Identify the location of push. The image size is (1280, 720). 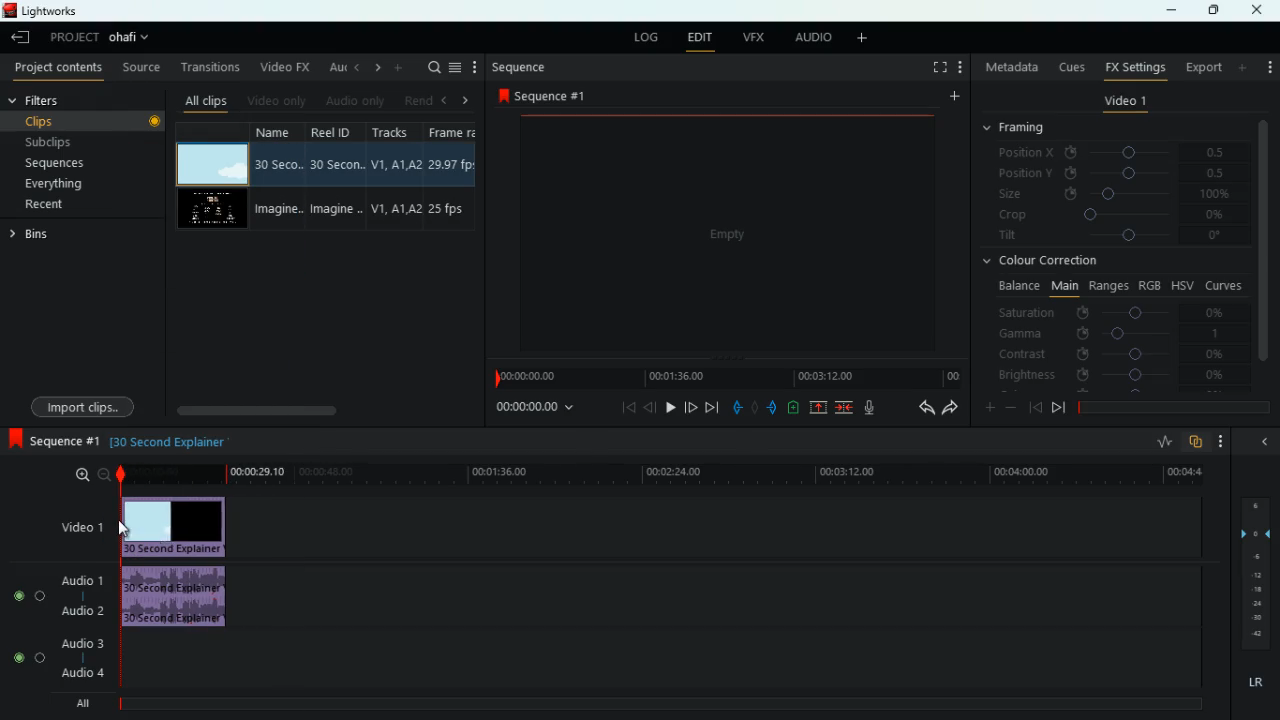
(773, 407).